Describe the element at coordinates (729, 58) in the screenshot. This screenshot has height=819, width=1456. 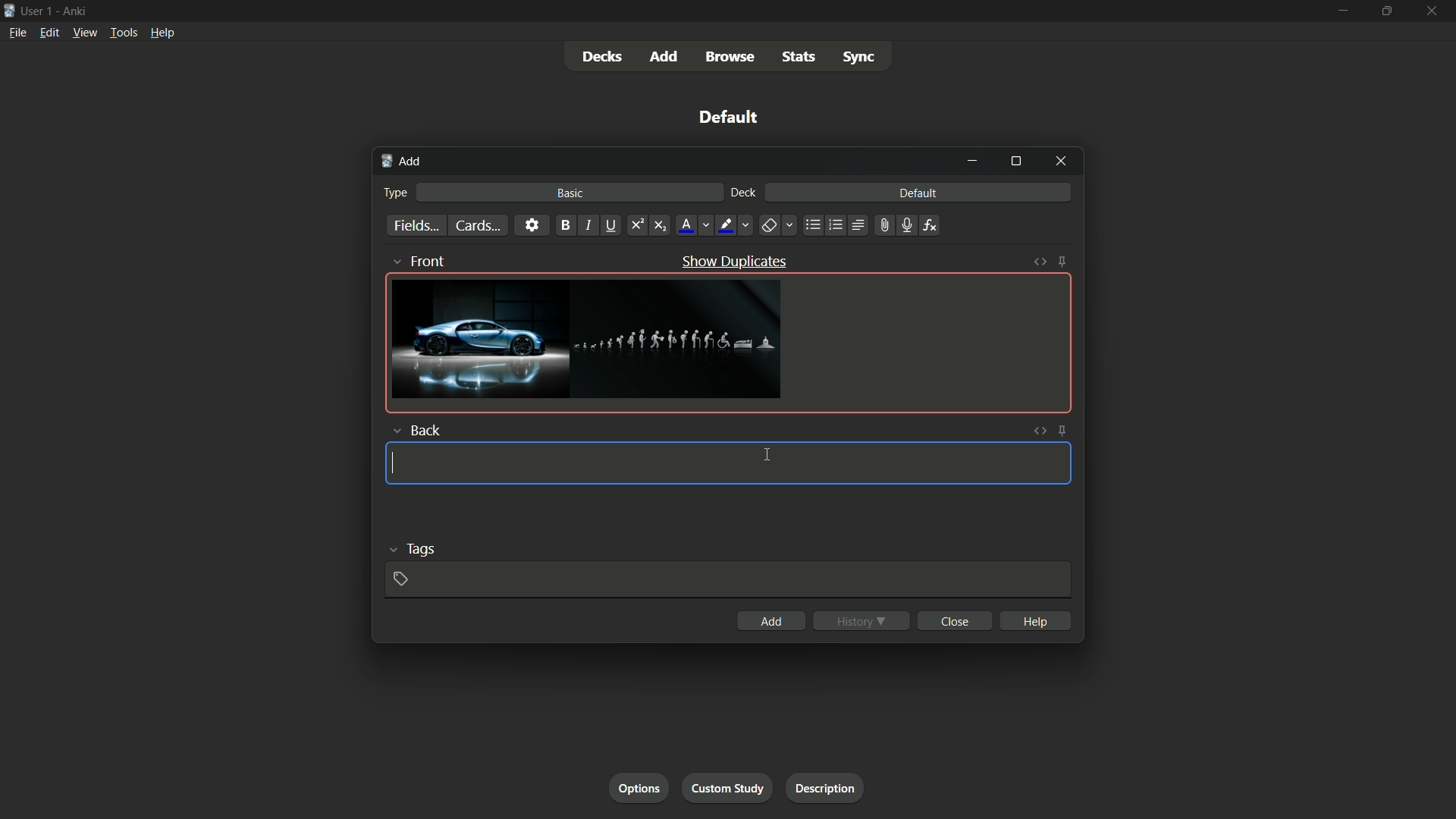
I see `browse` at that location.